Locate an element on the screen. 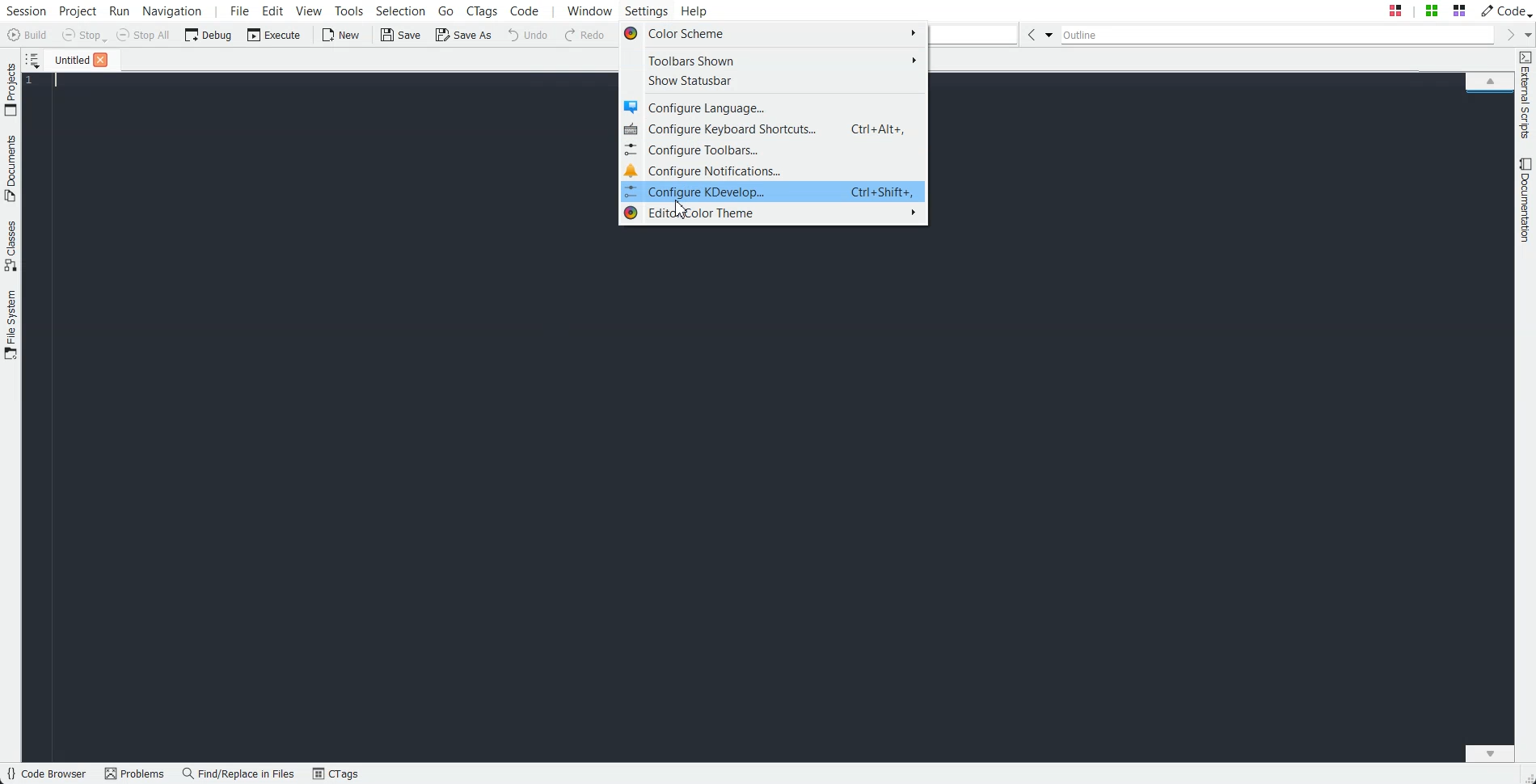  Stop is located at coordinates (84, 36).